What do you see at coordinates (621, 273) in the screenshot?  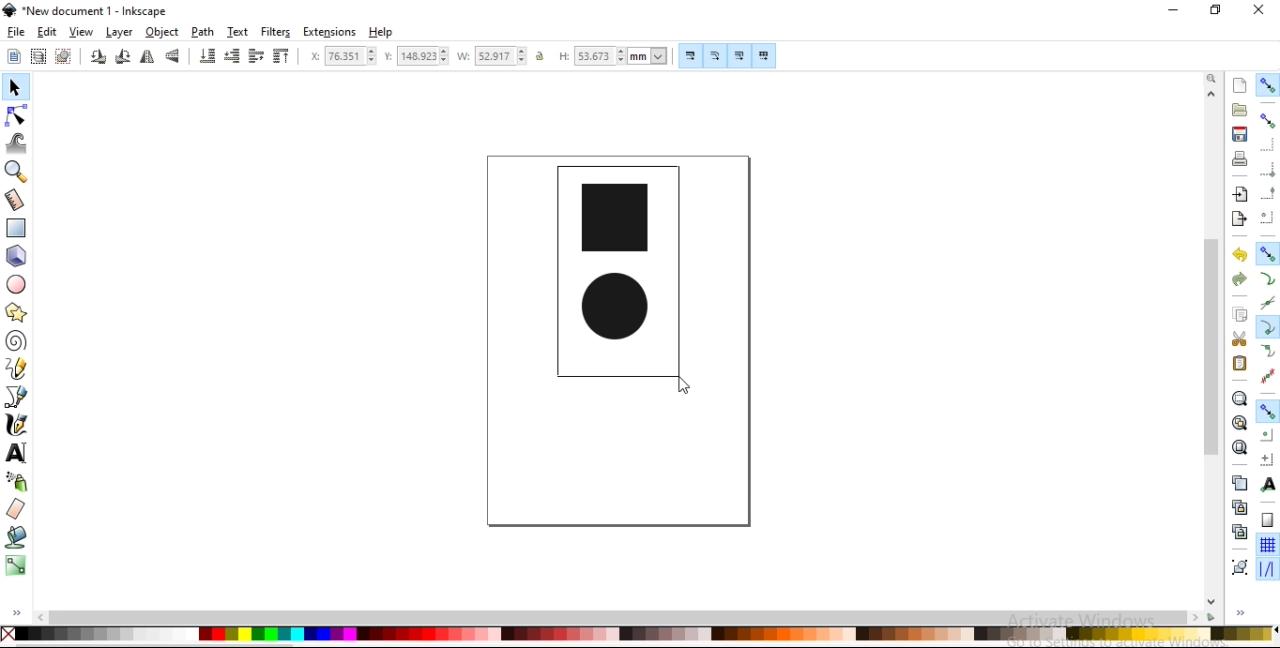 I see `image` at bounding box center [621, 273].